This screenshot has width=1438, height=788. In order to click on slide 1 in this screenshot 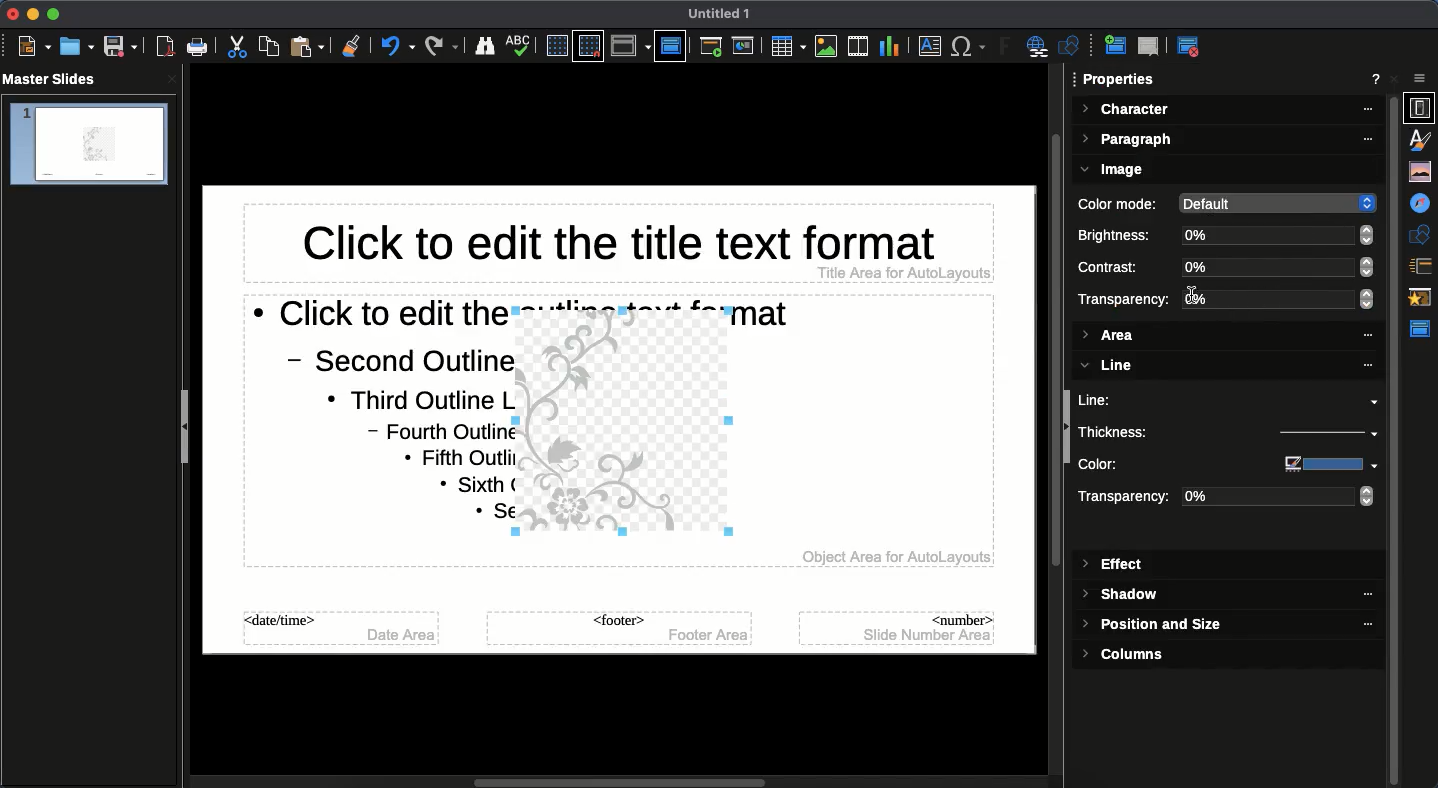, I will do `click(88, 145)`.